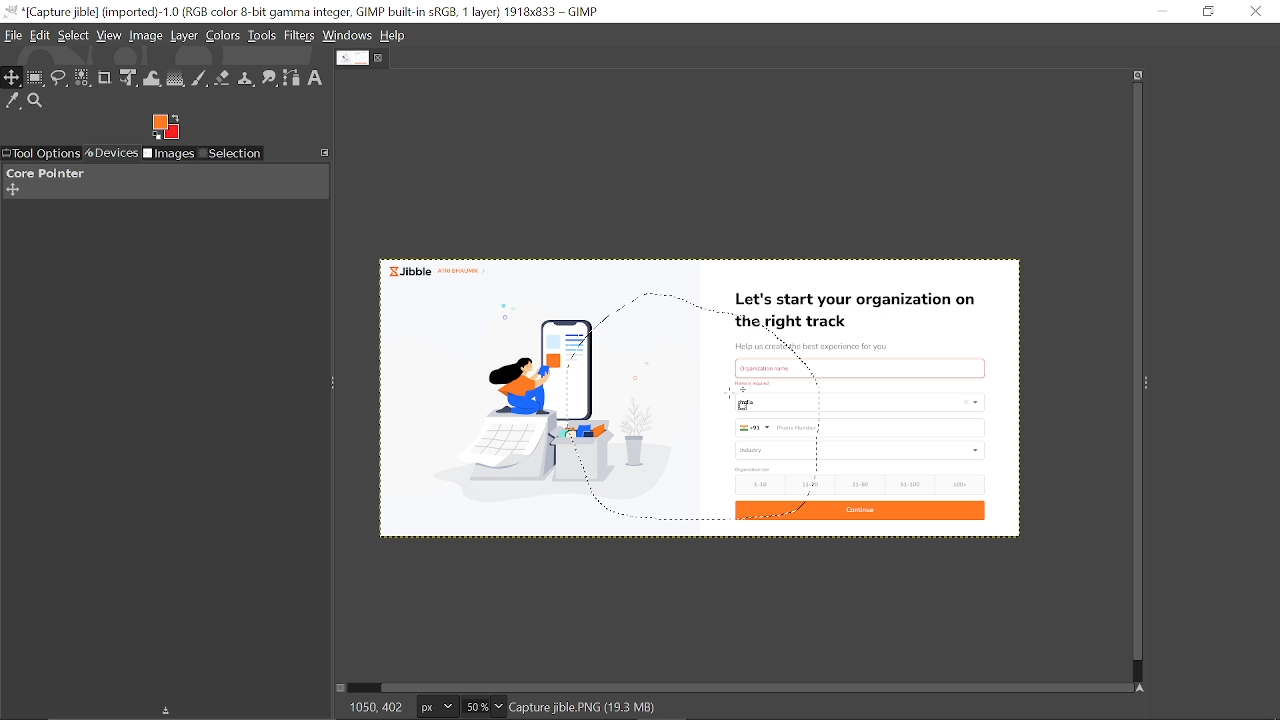 This screenshot has width=1280, height=720. I want to click on Tool options, so click(40, 154).